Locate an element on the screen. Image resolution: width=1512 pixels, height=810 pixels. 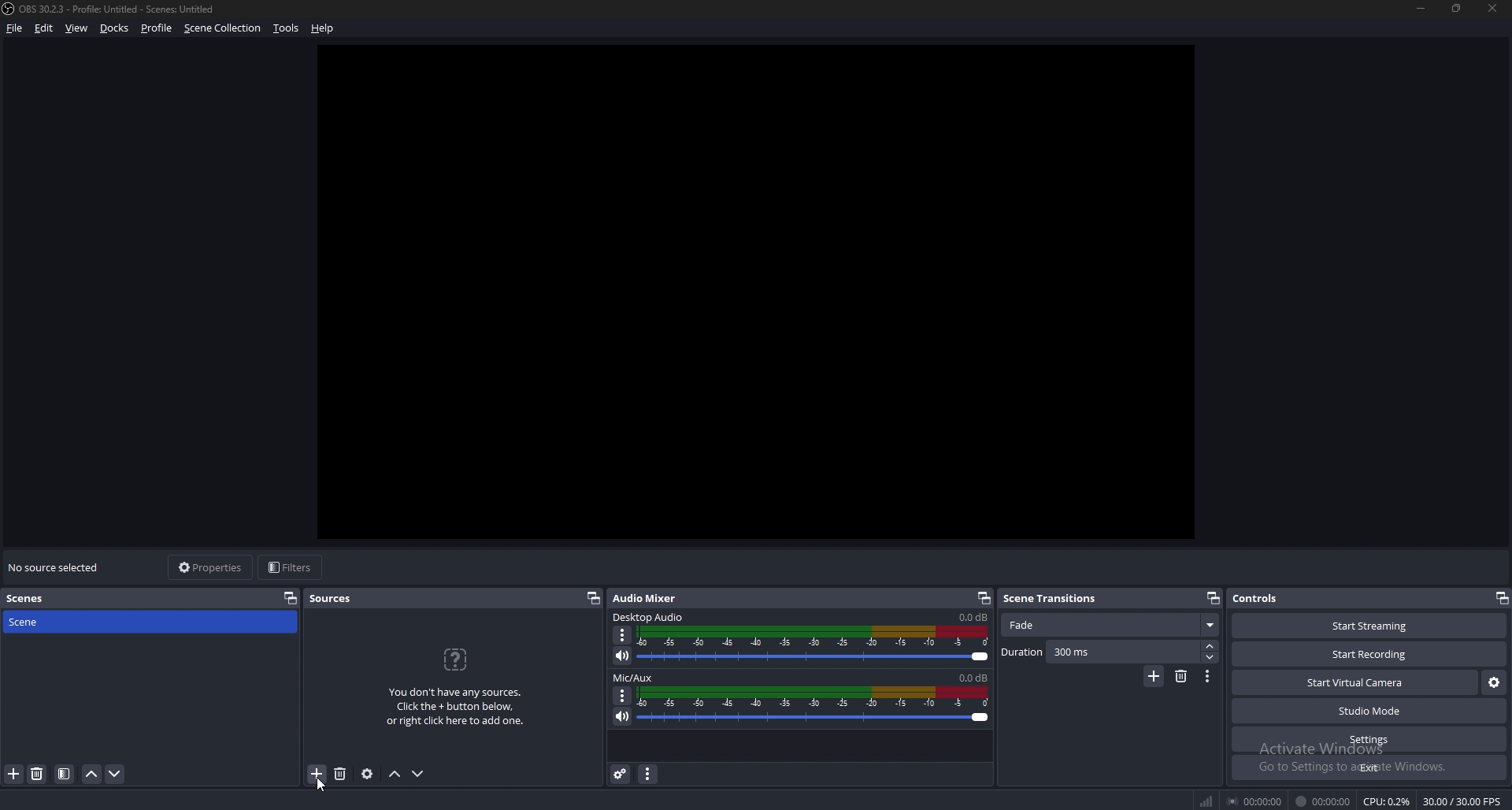
mute is located at coordinates (622, 716).